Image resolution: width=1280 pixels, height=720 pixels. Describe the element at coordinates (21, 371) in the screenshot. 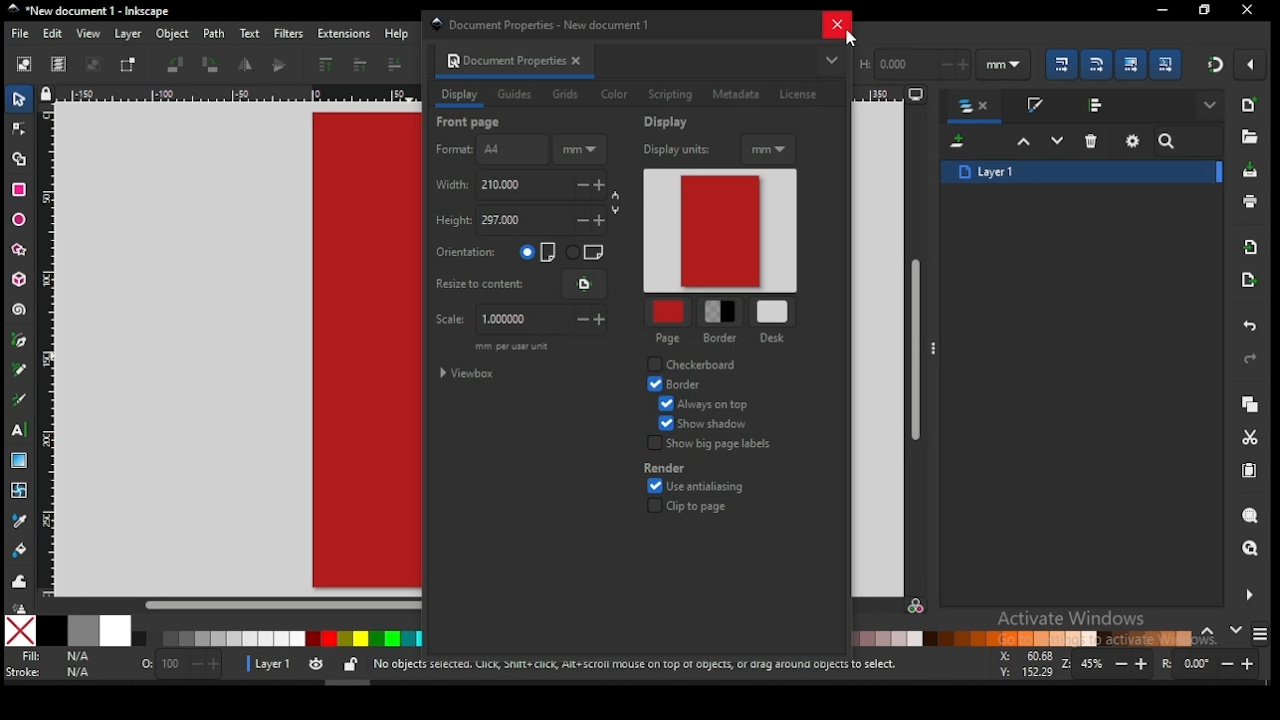

I see `pencil tool` at that location.